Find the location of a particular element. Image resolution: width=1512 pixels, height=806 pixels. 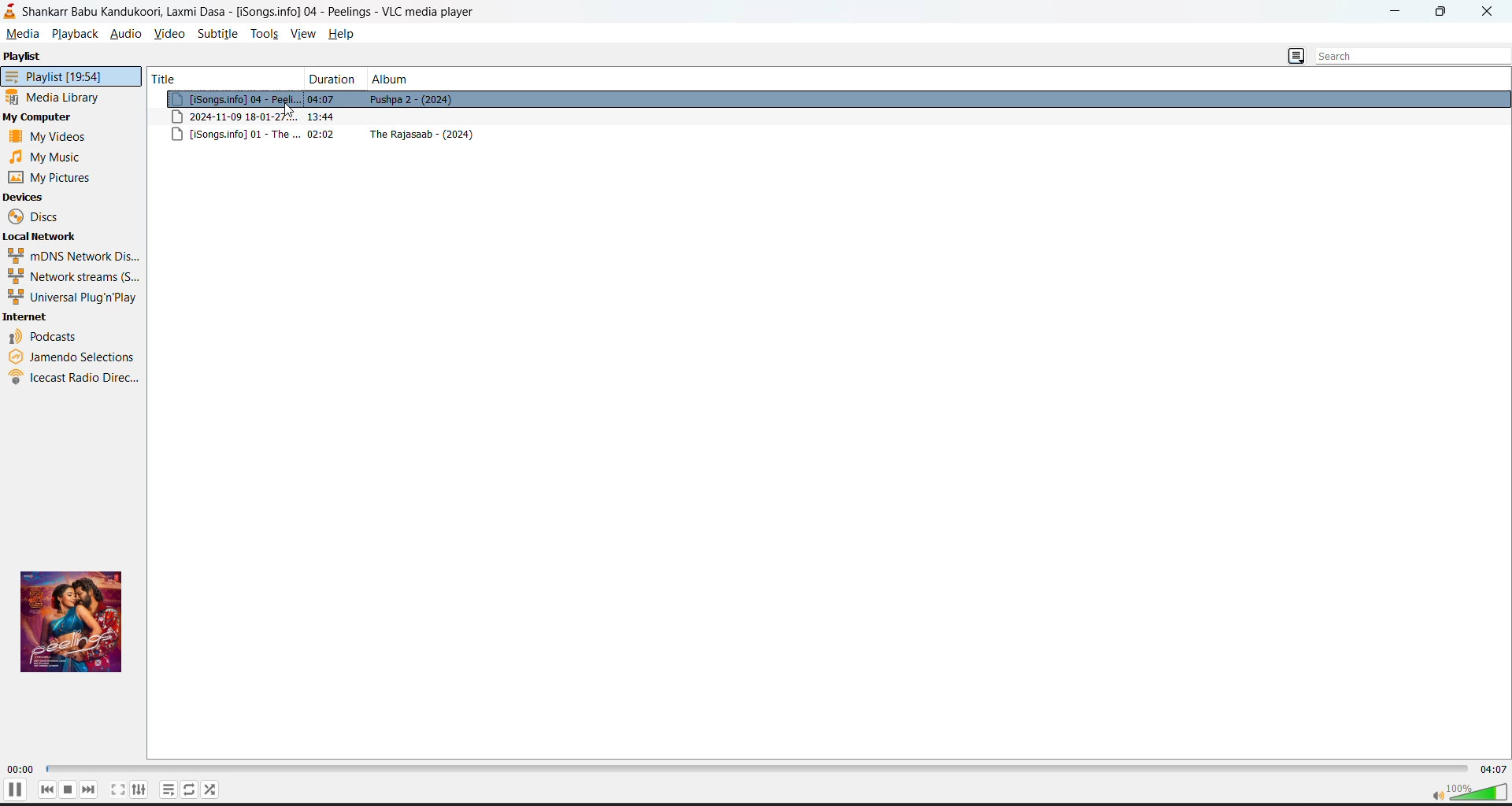

stop is located at coordinates (69, 789).